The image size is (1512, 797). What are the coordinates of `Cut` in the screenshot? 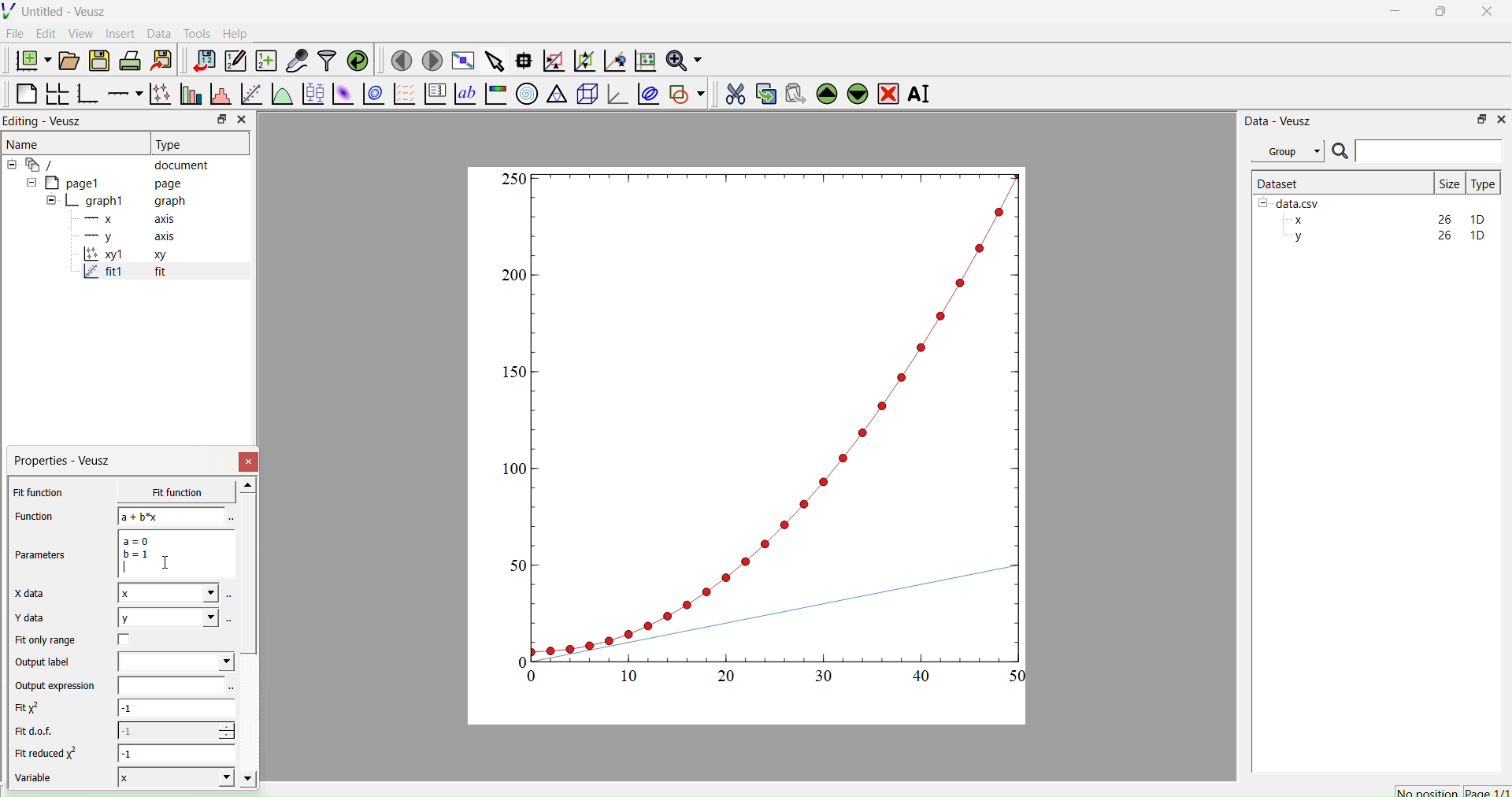 It's located at (730, 91).